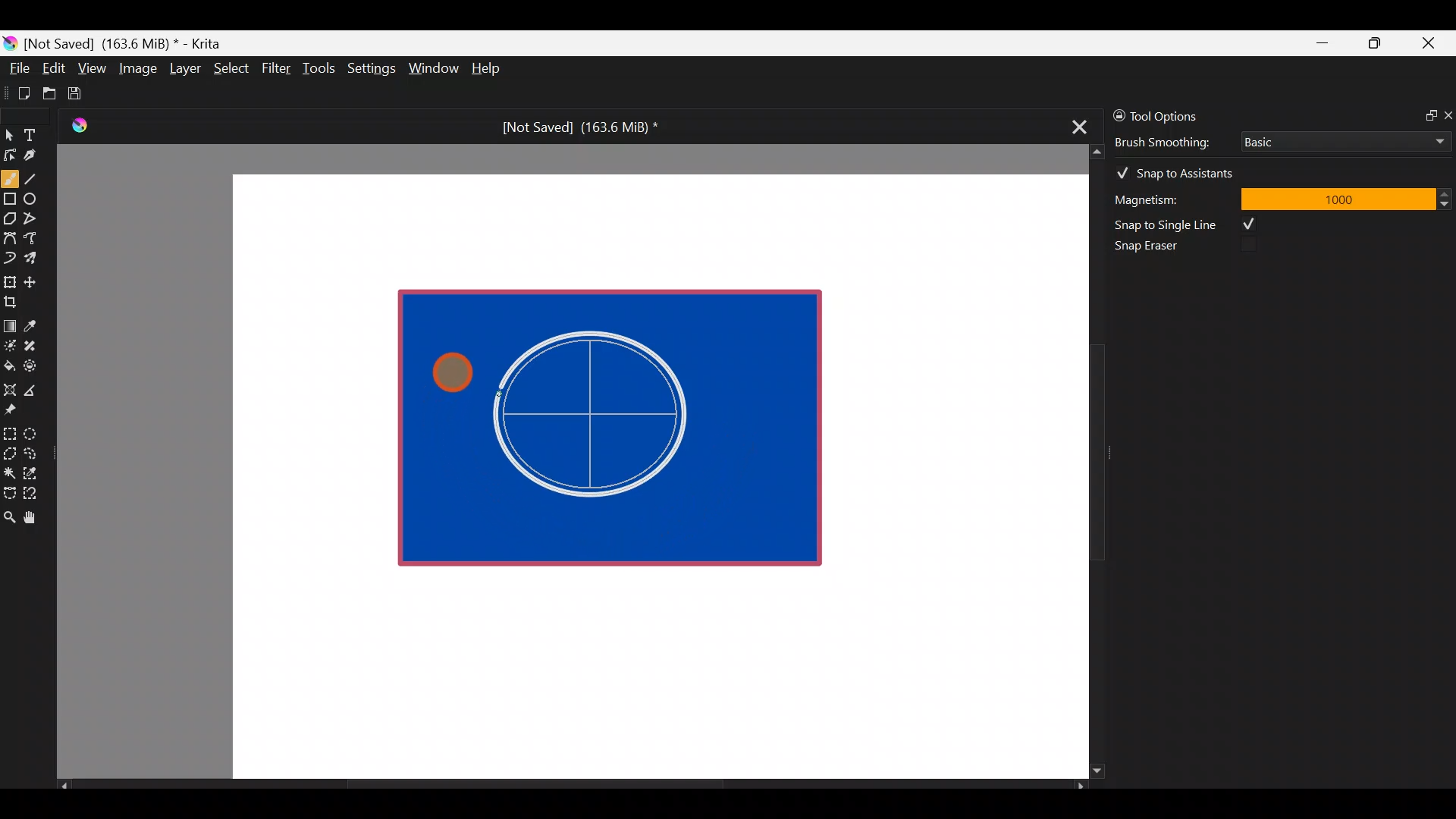  I want to click on Window, so click(433, 70).